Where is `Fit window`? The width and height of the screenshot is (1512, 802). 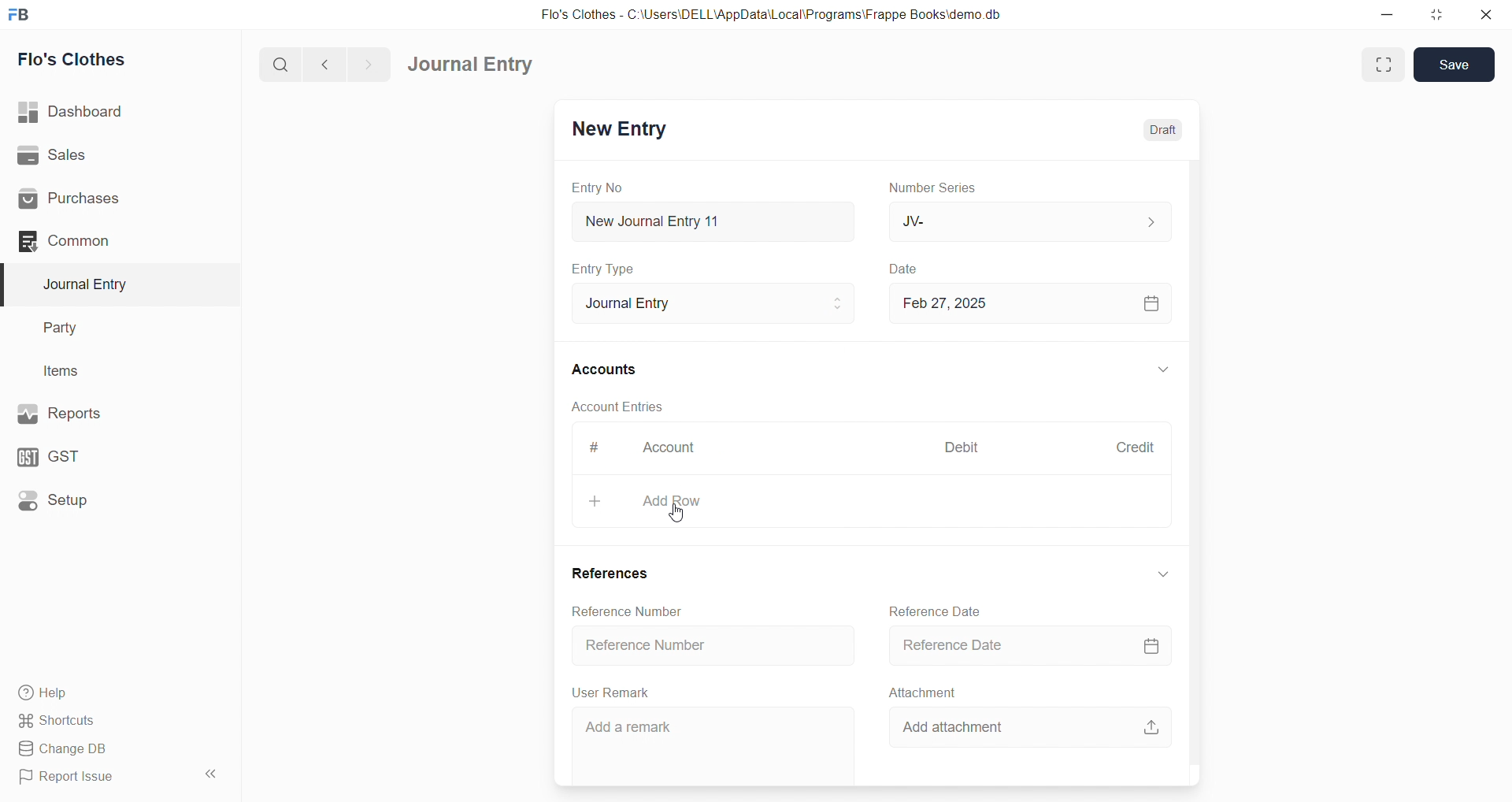
Fit window is located at coordinates (1381, 65).